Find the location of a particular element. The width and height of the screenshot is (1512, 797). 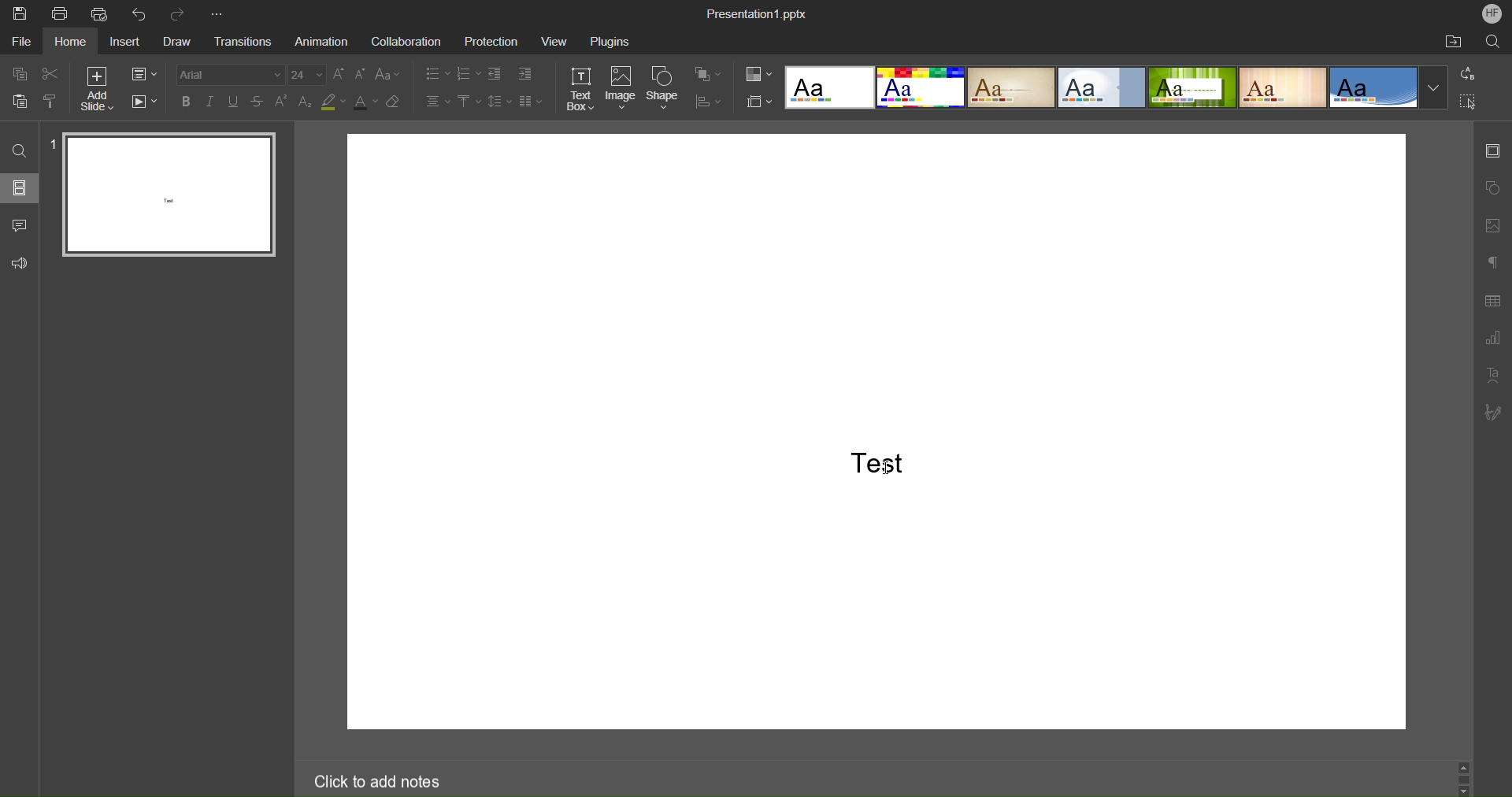

File is located at coordinates (20, 43).